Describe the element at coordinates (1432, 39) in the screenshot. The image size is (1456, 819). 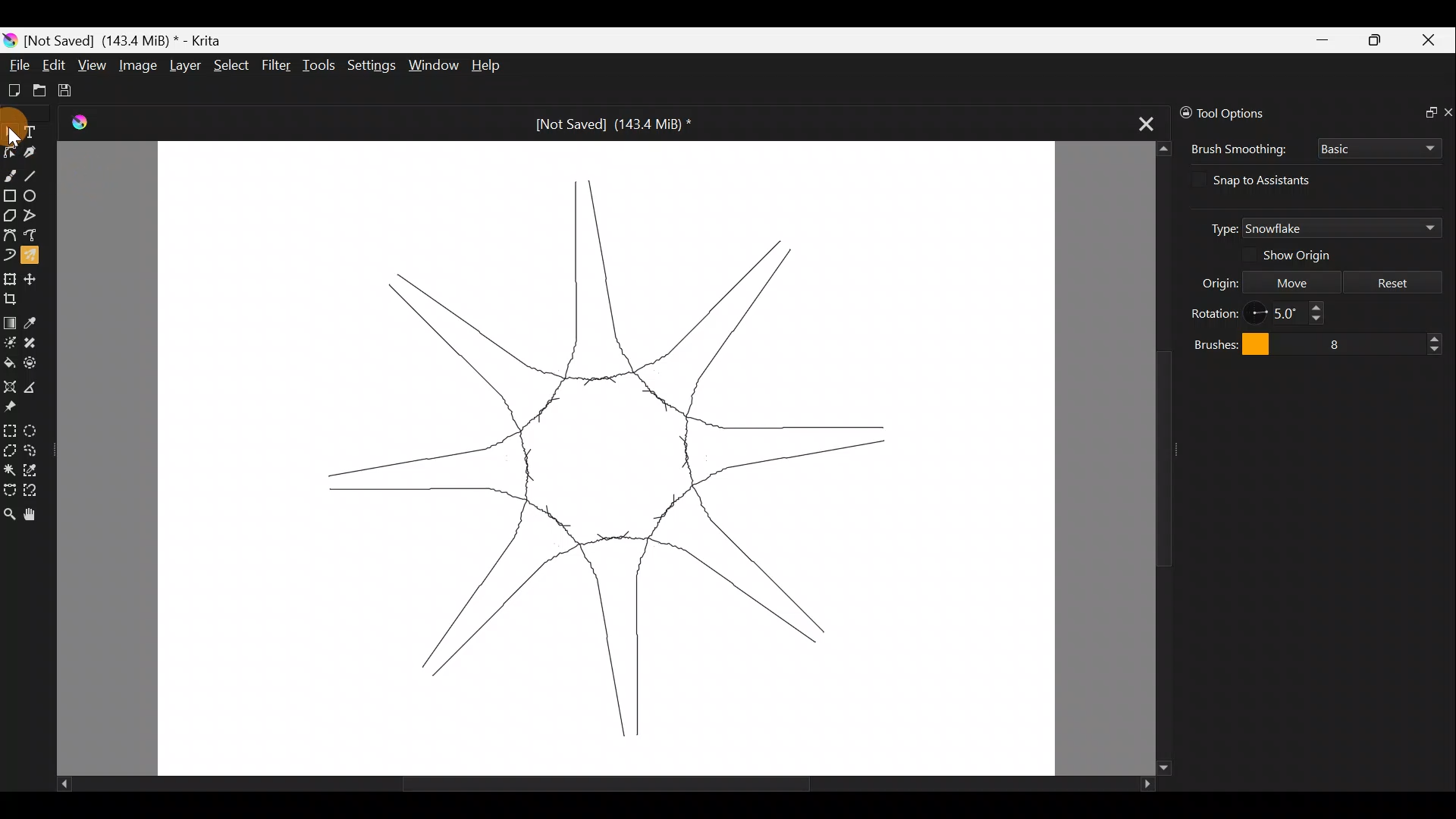
I see `Close` at that location.